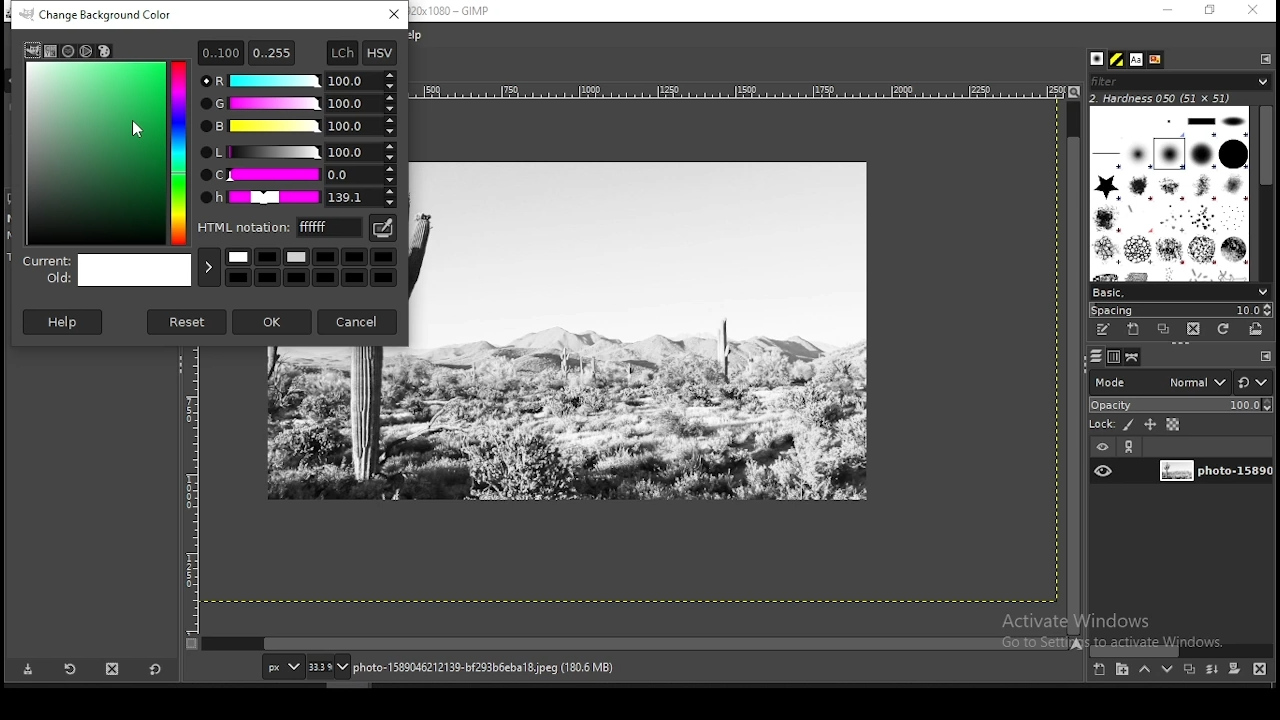  I want to click on close window, so click(395, 14).